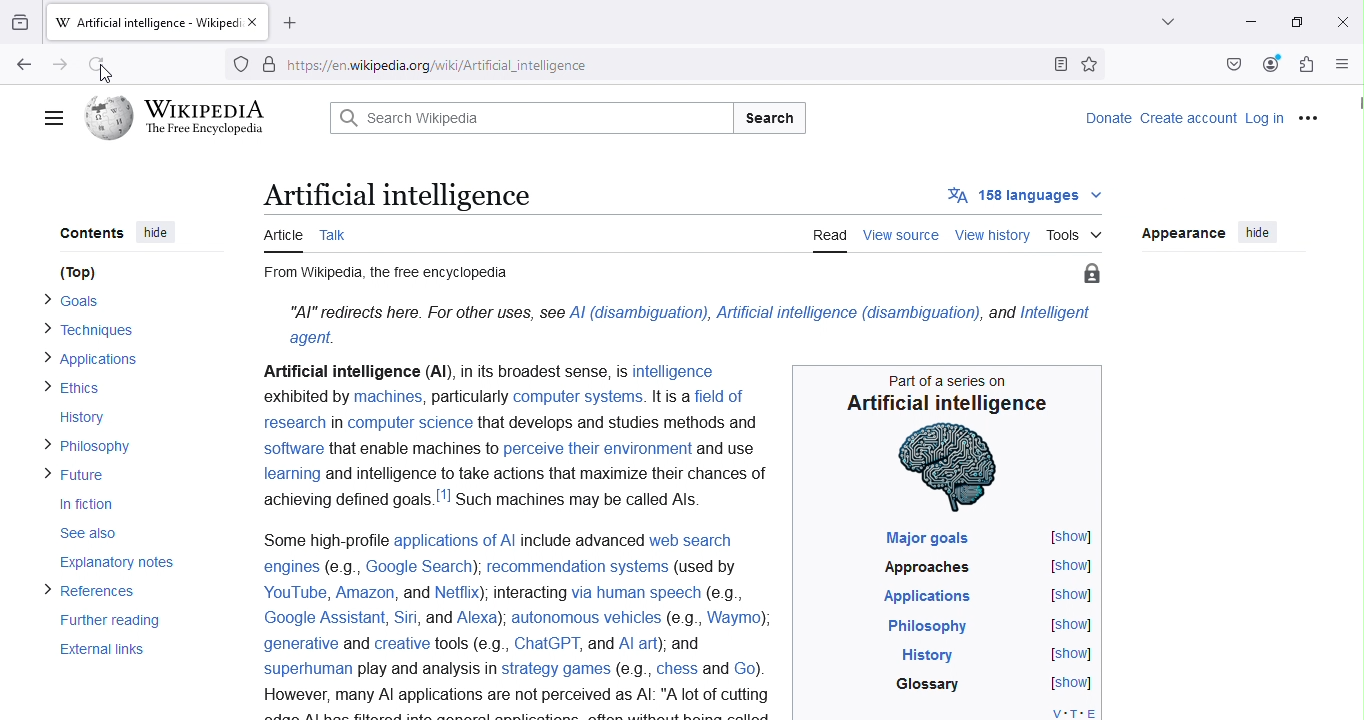  I want to click on Toggle reader view, so click(1059, 65).